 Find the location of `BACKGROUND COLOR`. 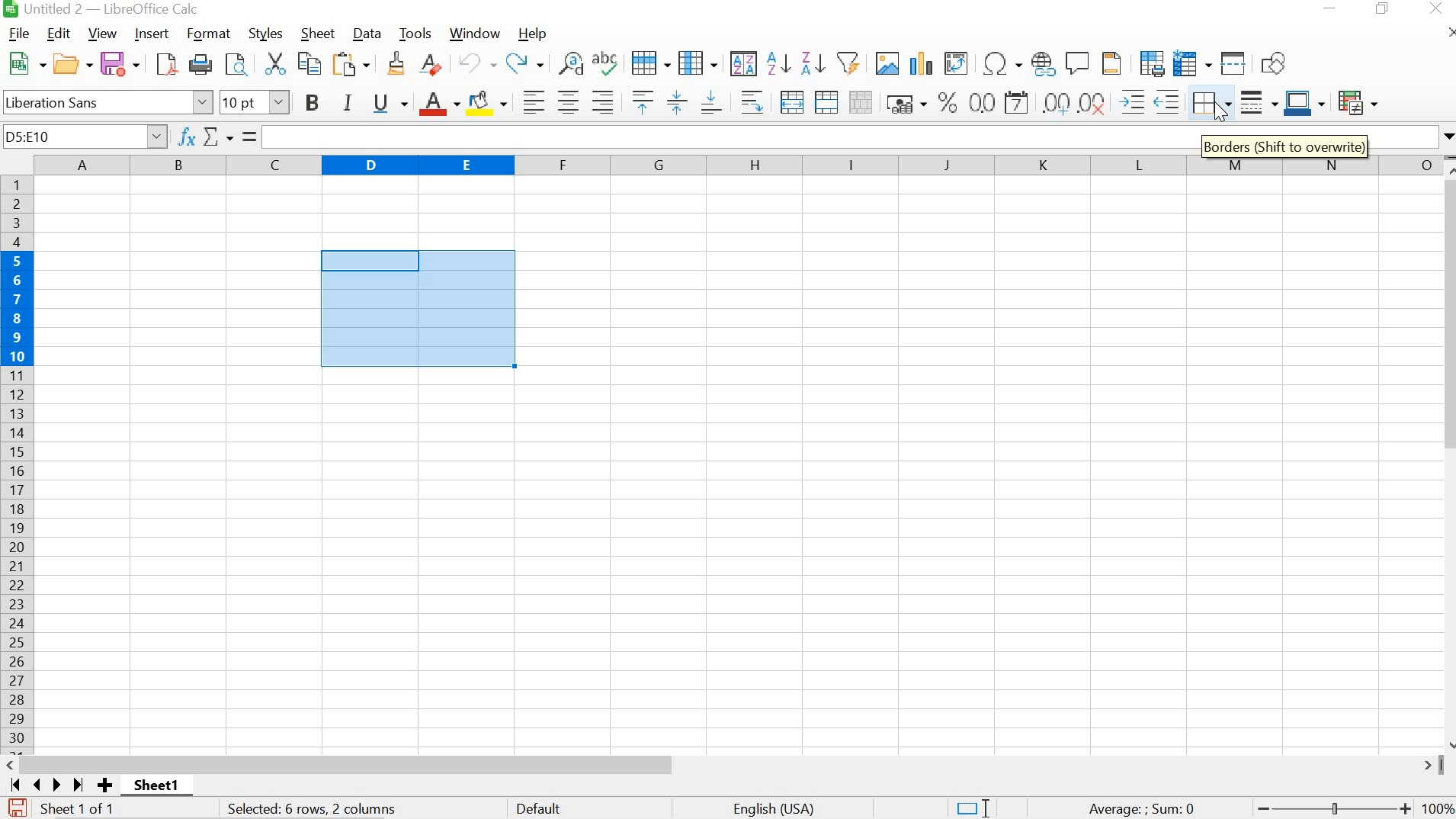

BACKGROUND COLOR is located at coordinates (488, 102).